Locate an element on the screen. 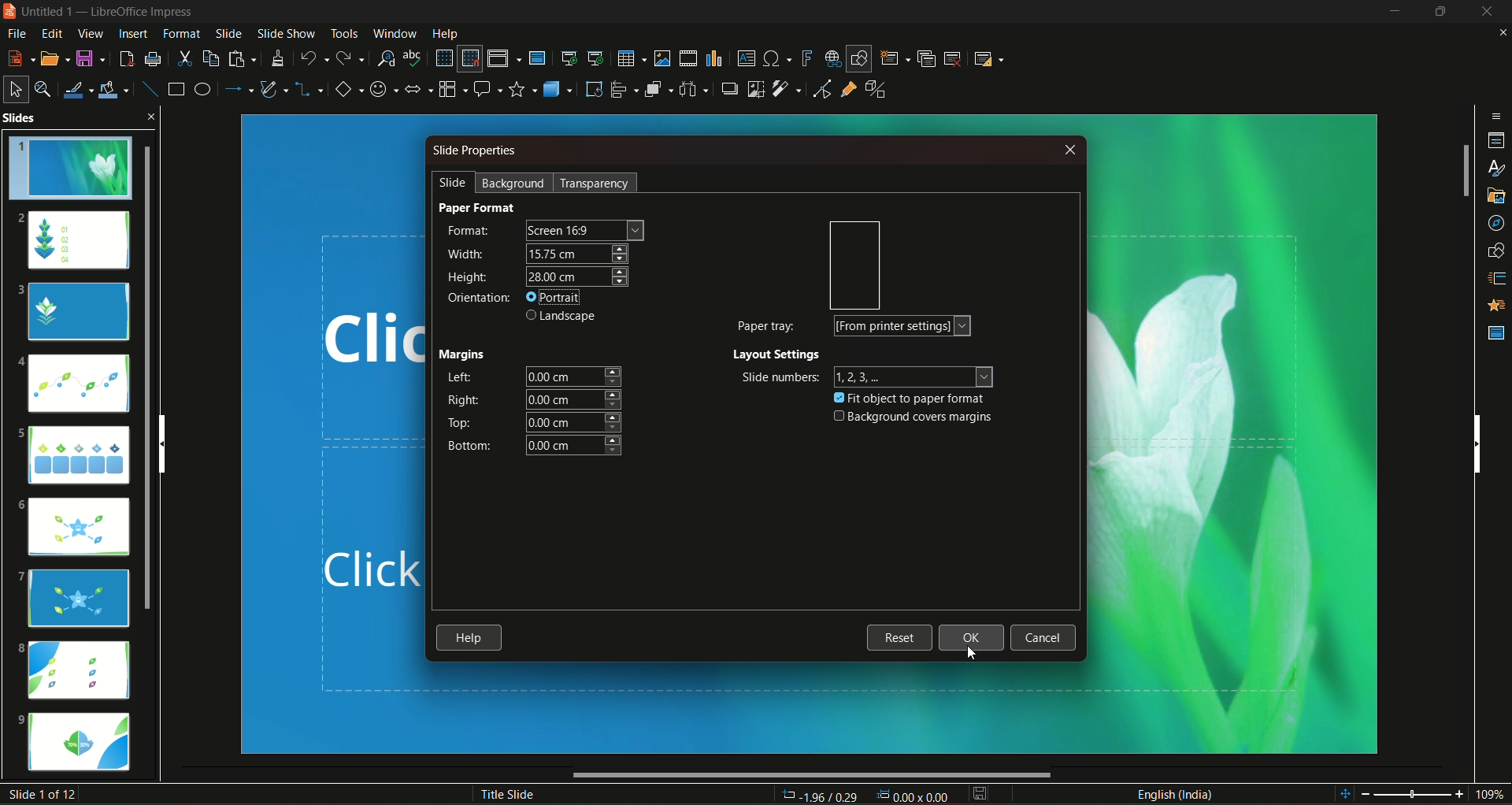 The image size is (1512, 805). slides scroll bar is located at coordinates (154, 376).